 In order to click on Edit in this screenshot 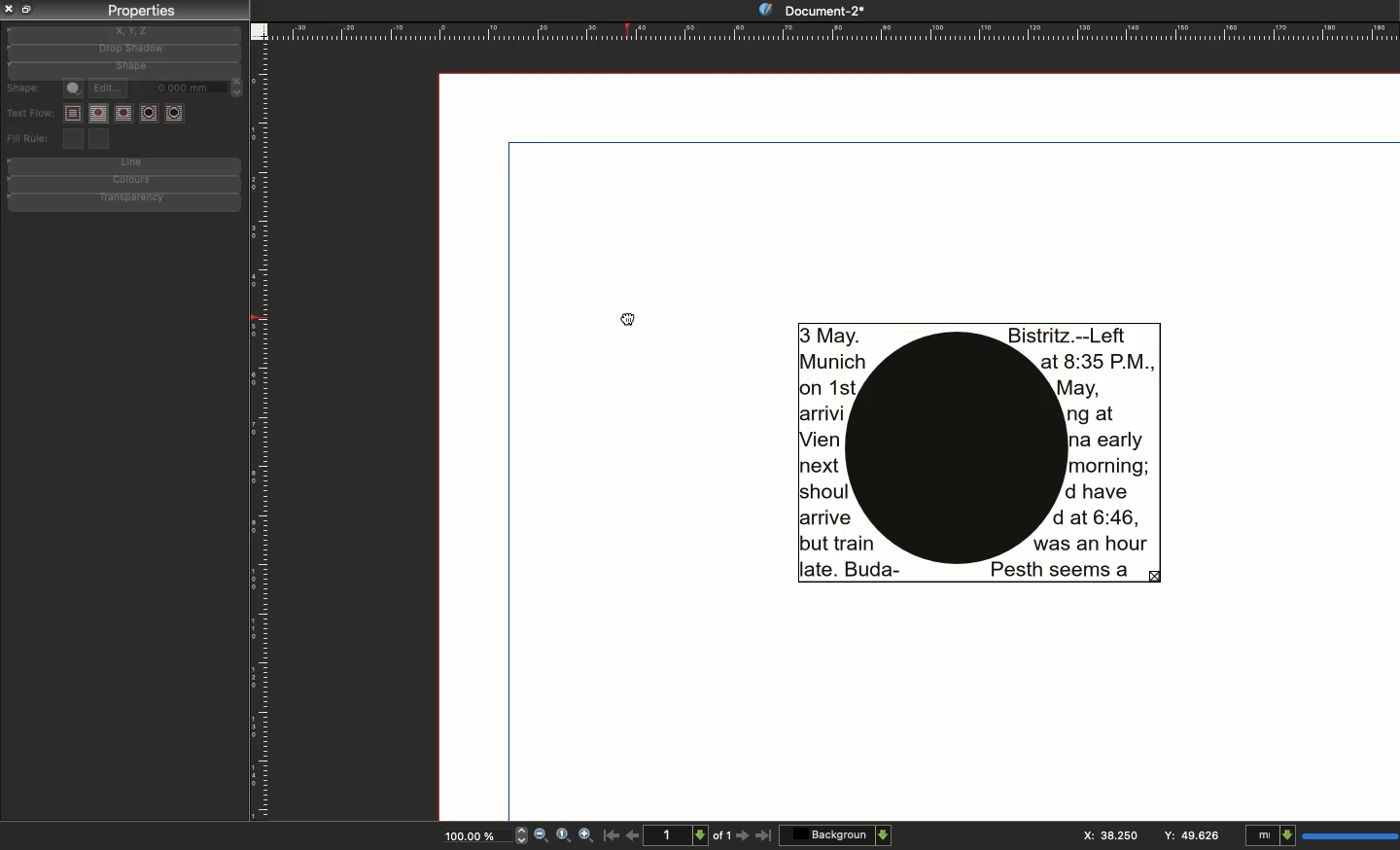, I will do `click(108, 85)`.